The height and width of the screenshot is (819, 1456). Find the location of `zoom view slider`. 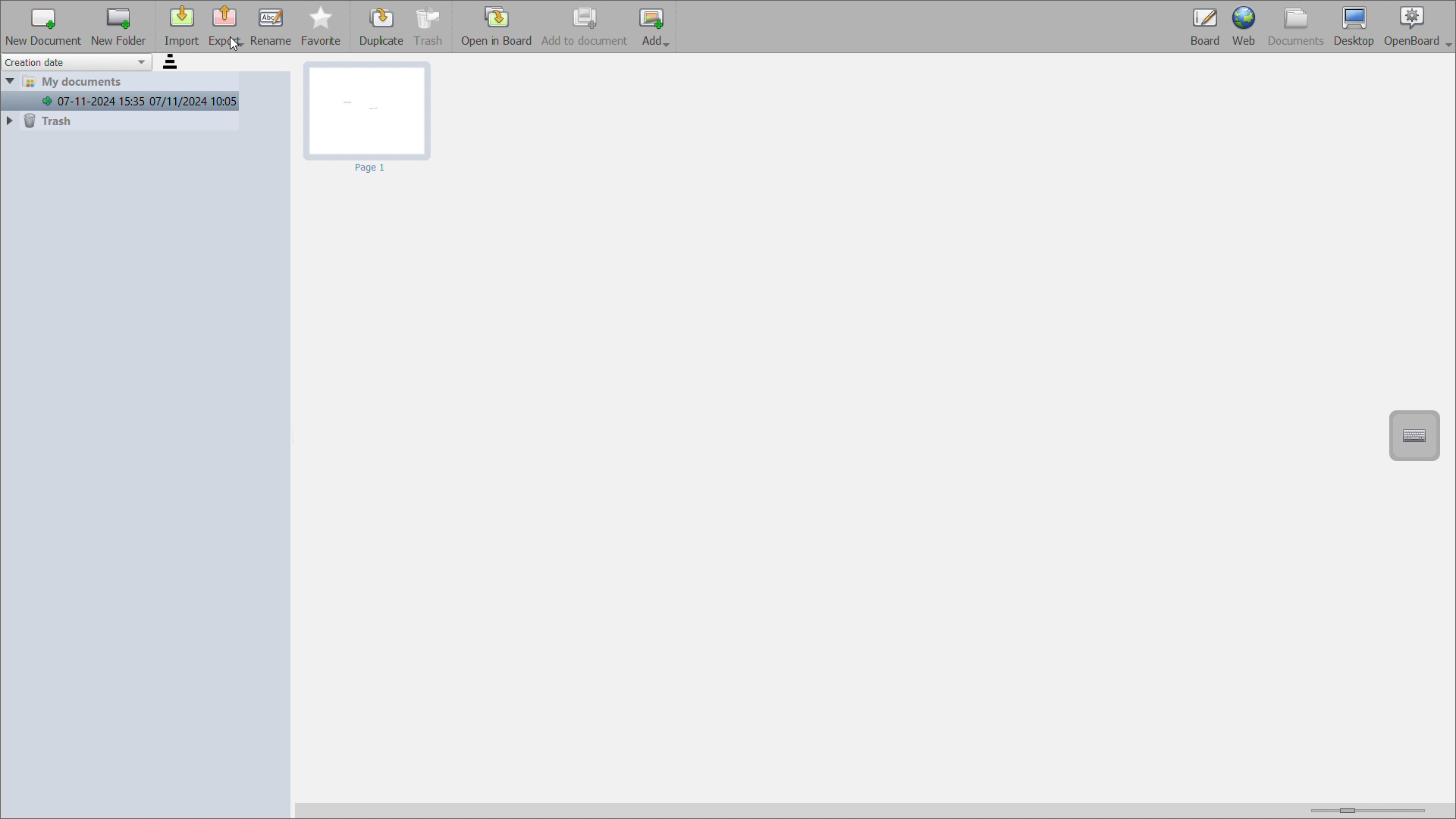

zoom view slider is located at coordinates (1364, 808).